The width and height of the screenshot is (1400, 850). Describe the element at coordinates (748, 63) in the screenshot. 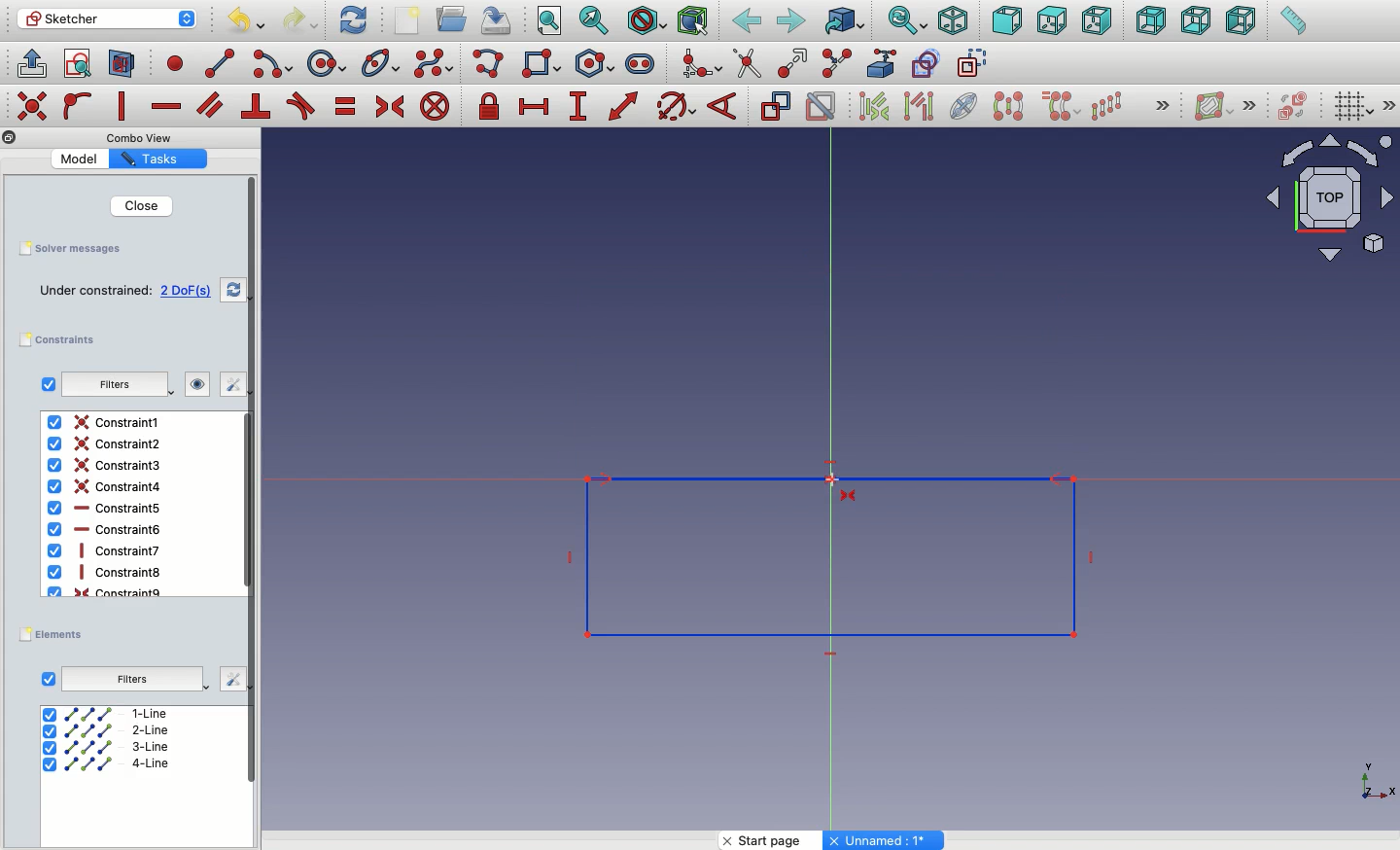

I see `Trim edge` at that location.